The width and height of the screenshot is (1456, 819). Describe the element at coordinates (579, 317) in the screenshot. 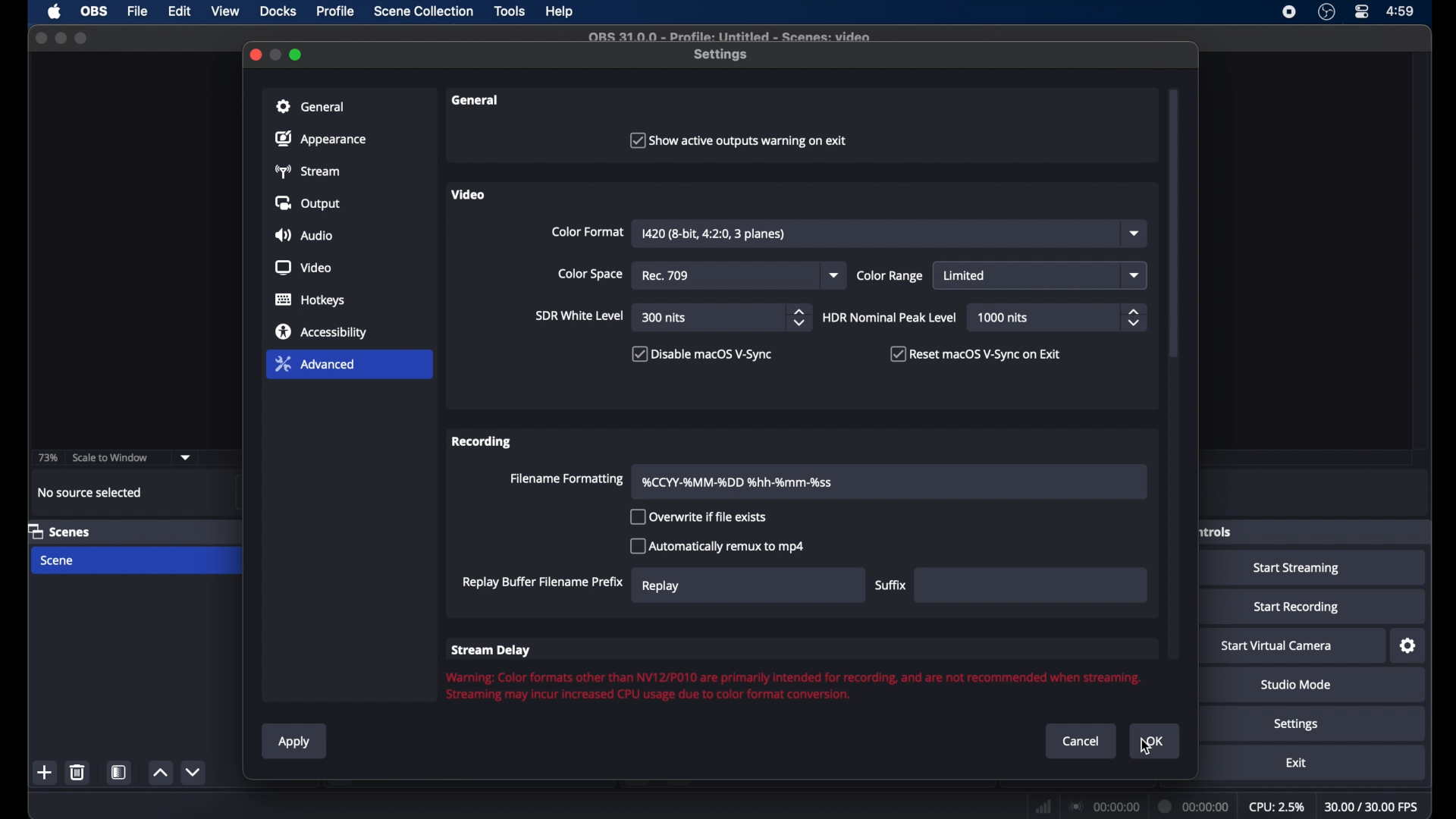

I see `sdr white level` at that location.